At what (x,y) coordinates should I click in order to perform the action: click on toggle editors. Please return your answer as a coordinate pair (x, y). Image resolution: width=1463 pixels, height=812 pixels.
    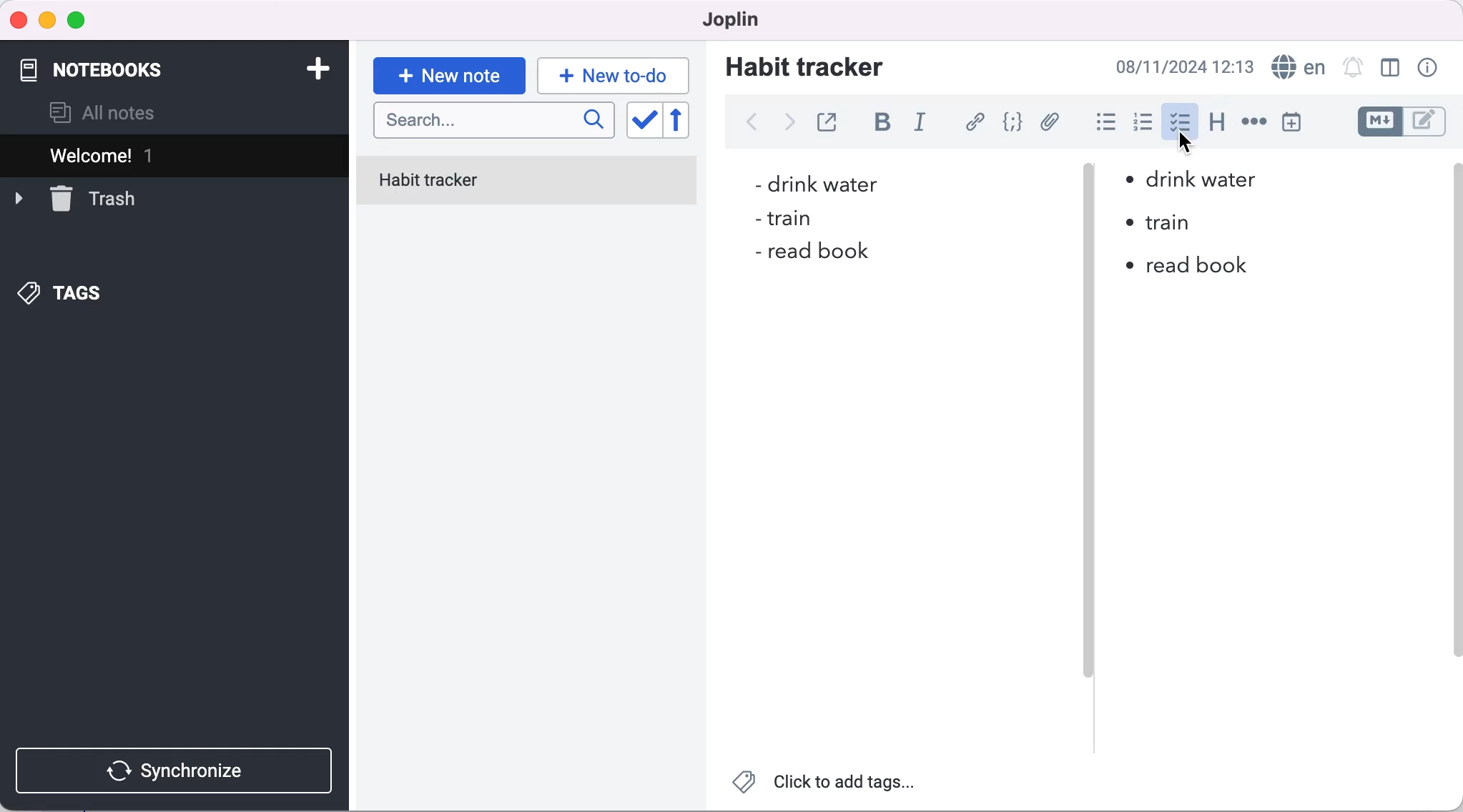
    Looking at the image, I should click on (1404, 122).